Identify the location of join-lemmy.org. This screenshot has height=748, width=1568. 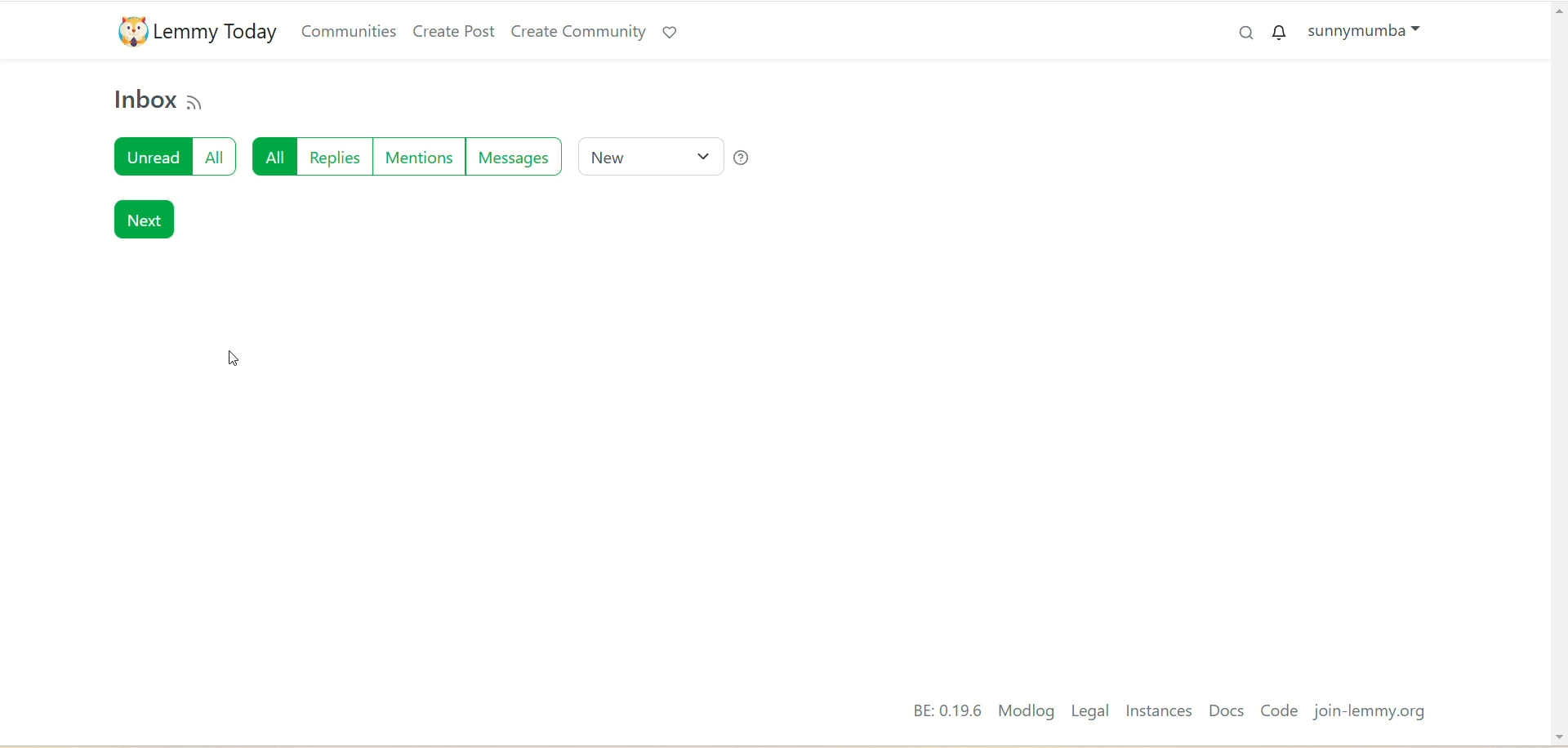
(1374, 712).